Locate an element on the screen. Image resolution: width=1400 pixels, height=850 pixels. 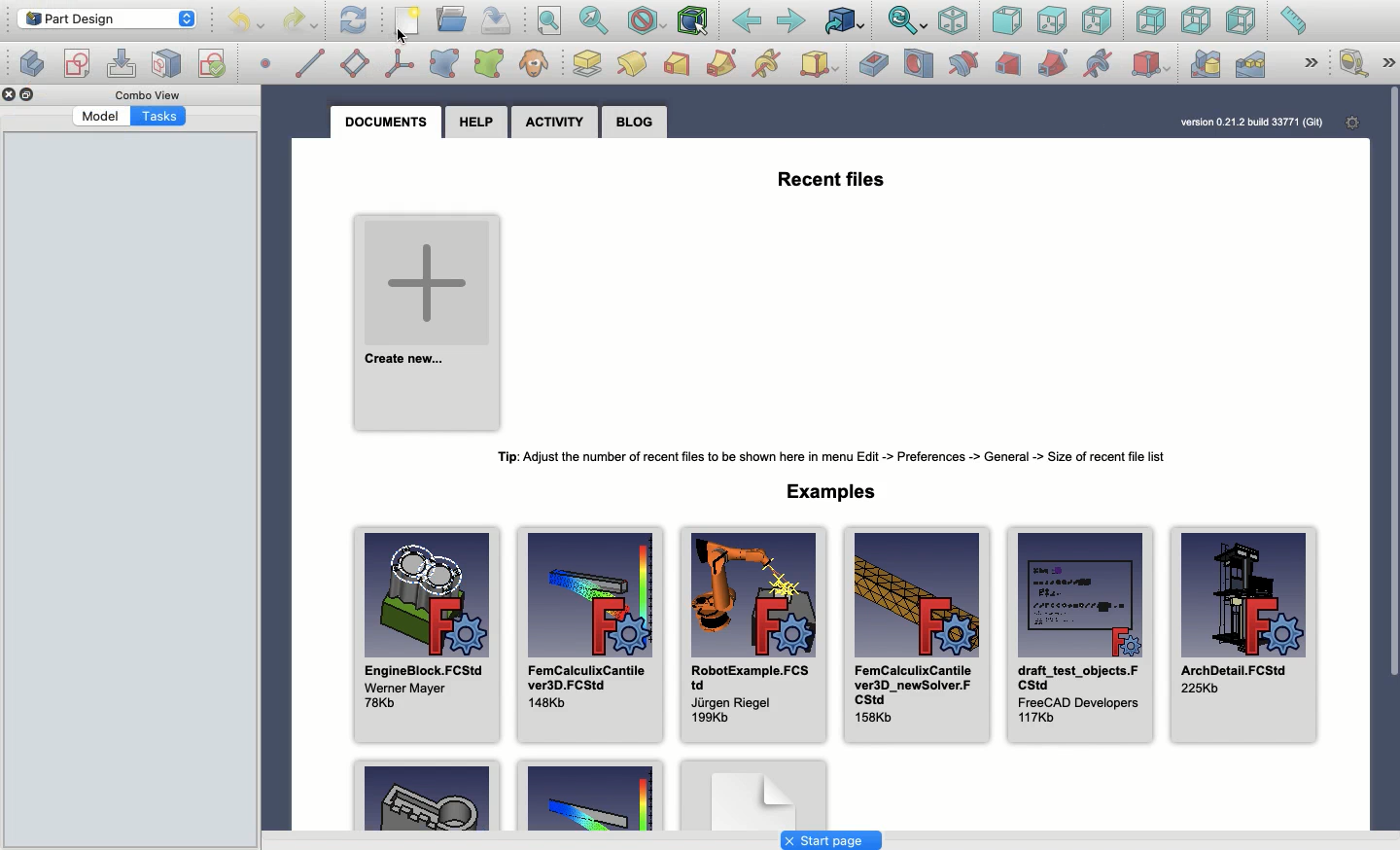
Pad is located at coordinates (588, 63).